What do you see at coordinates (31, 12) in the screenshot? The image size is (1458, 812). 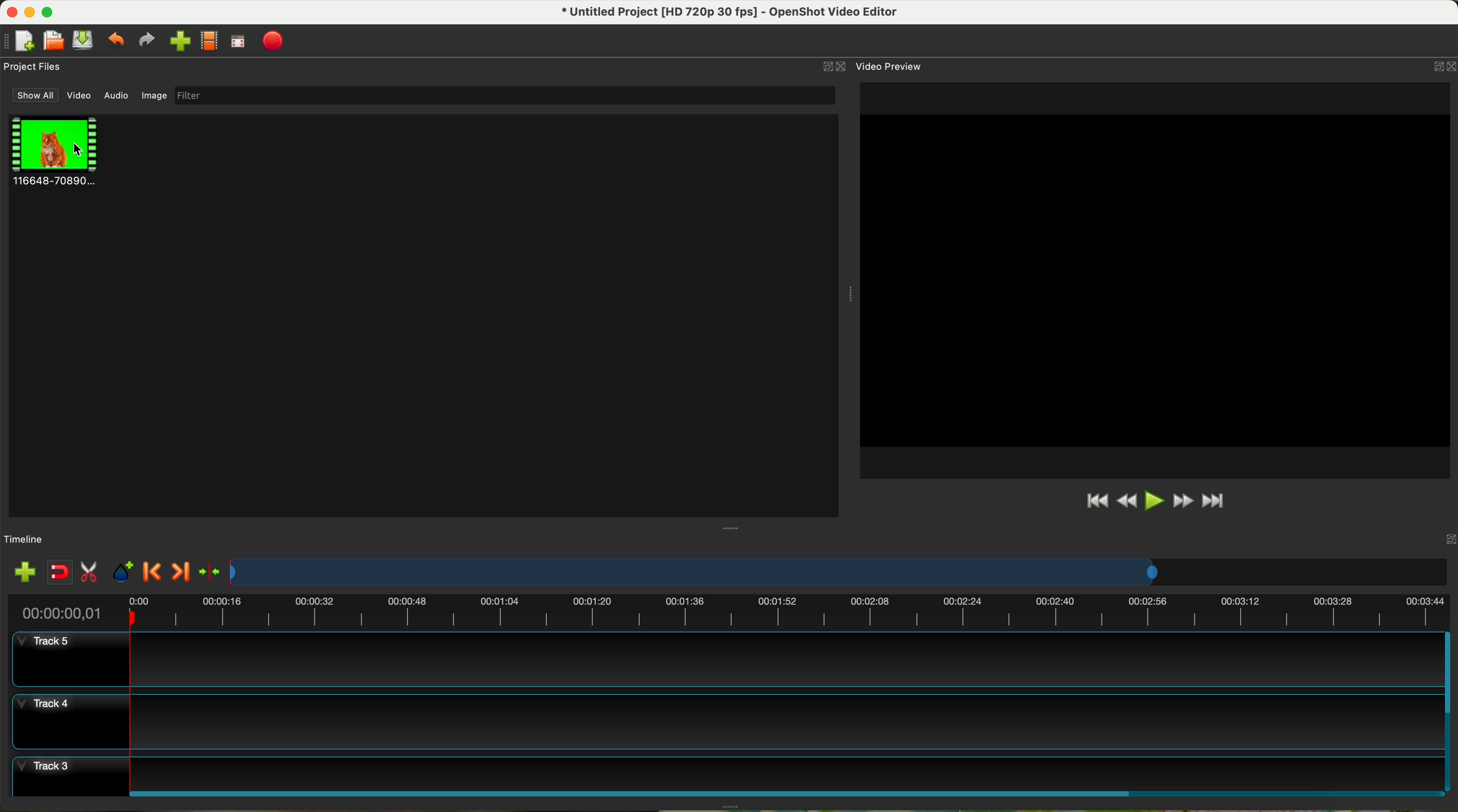 I see `minimize program` at bounding box center [31, 12].